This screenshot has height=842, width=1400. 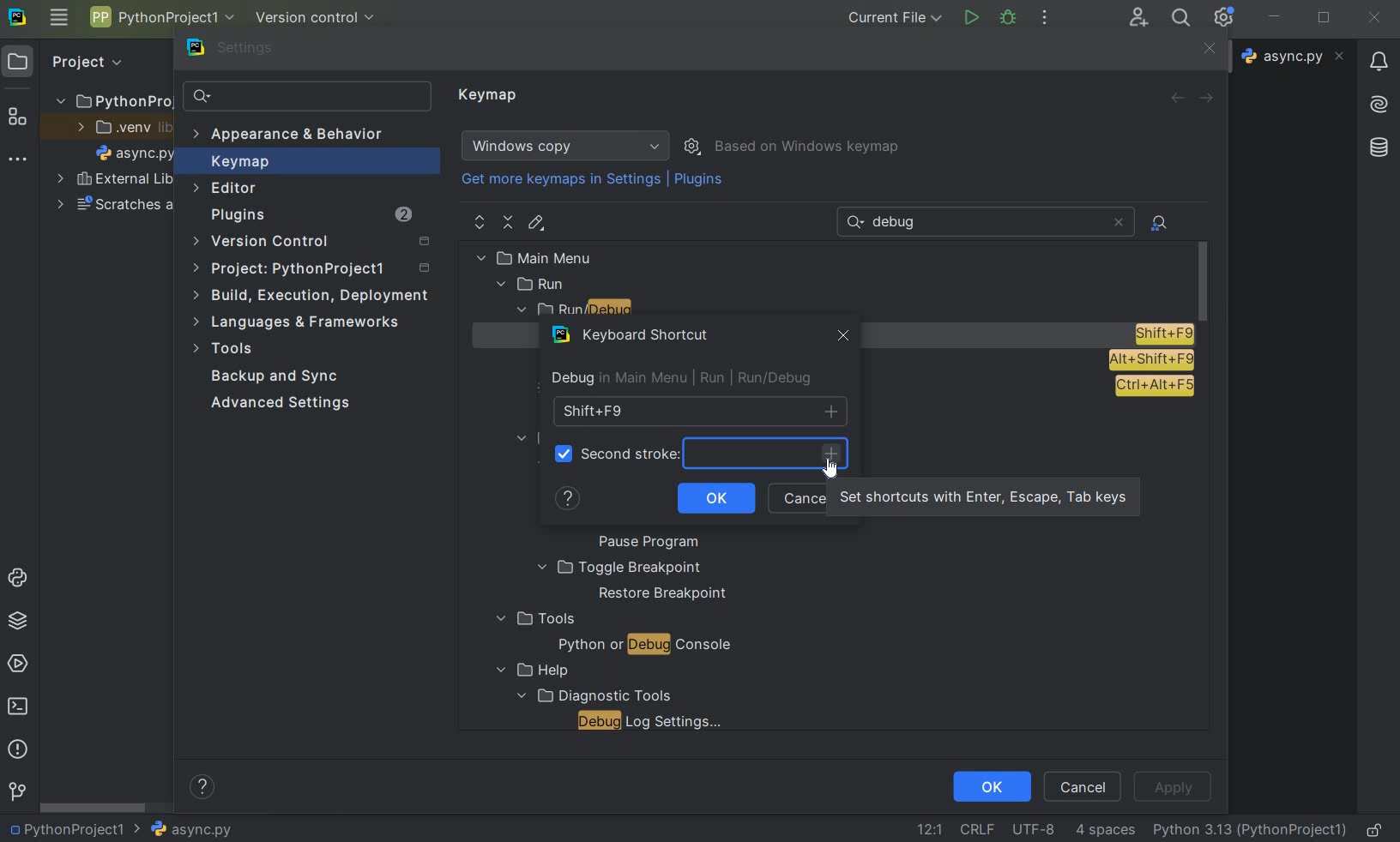 I want to click on main menu, so click(x=571, y=257).